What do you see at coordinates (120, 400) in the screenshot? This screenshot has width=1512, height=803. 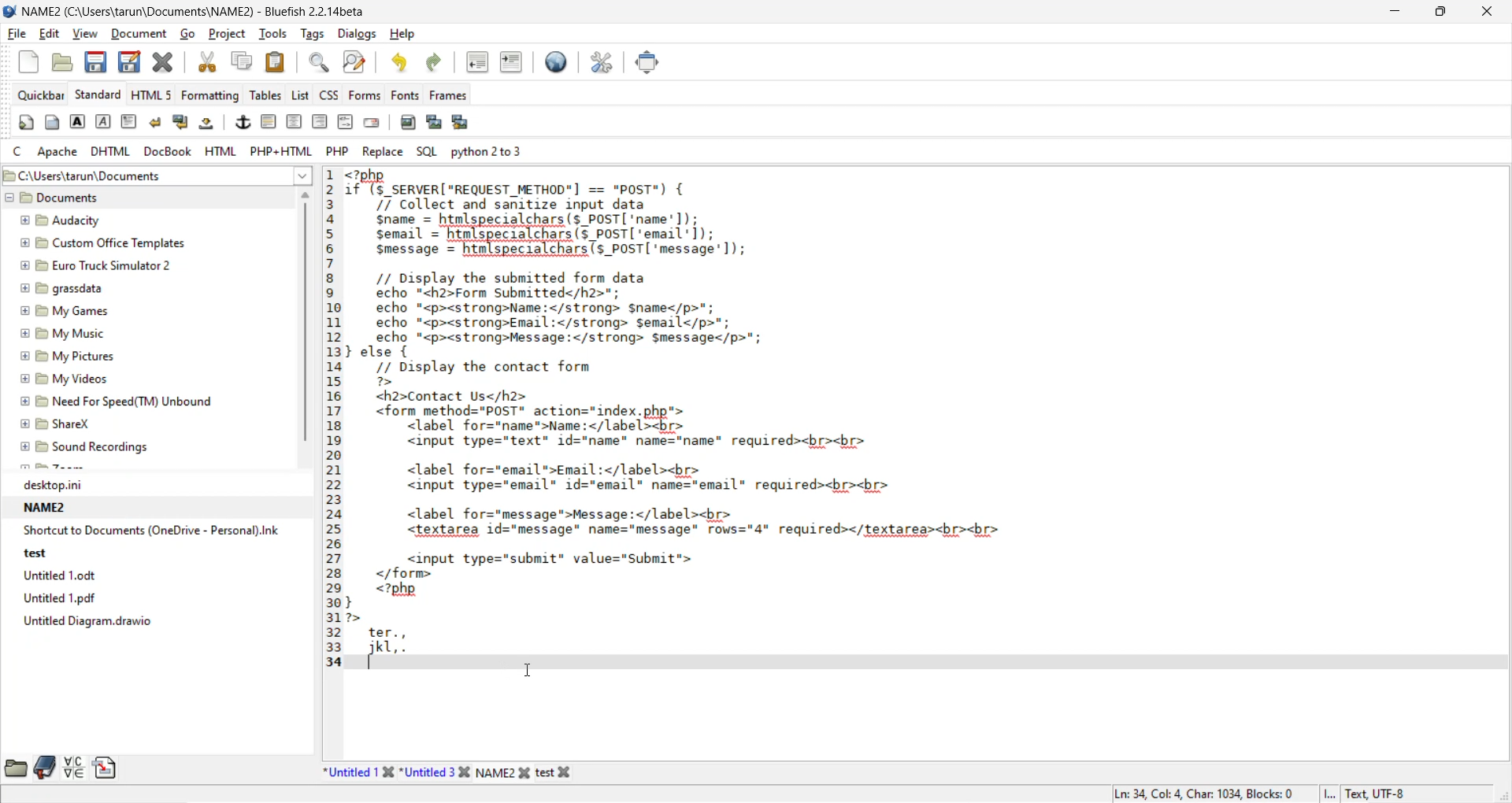 I see `Need For Speed(TM) Unbound` at bounding box center [120, 400].